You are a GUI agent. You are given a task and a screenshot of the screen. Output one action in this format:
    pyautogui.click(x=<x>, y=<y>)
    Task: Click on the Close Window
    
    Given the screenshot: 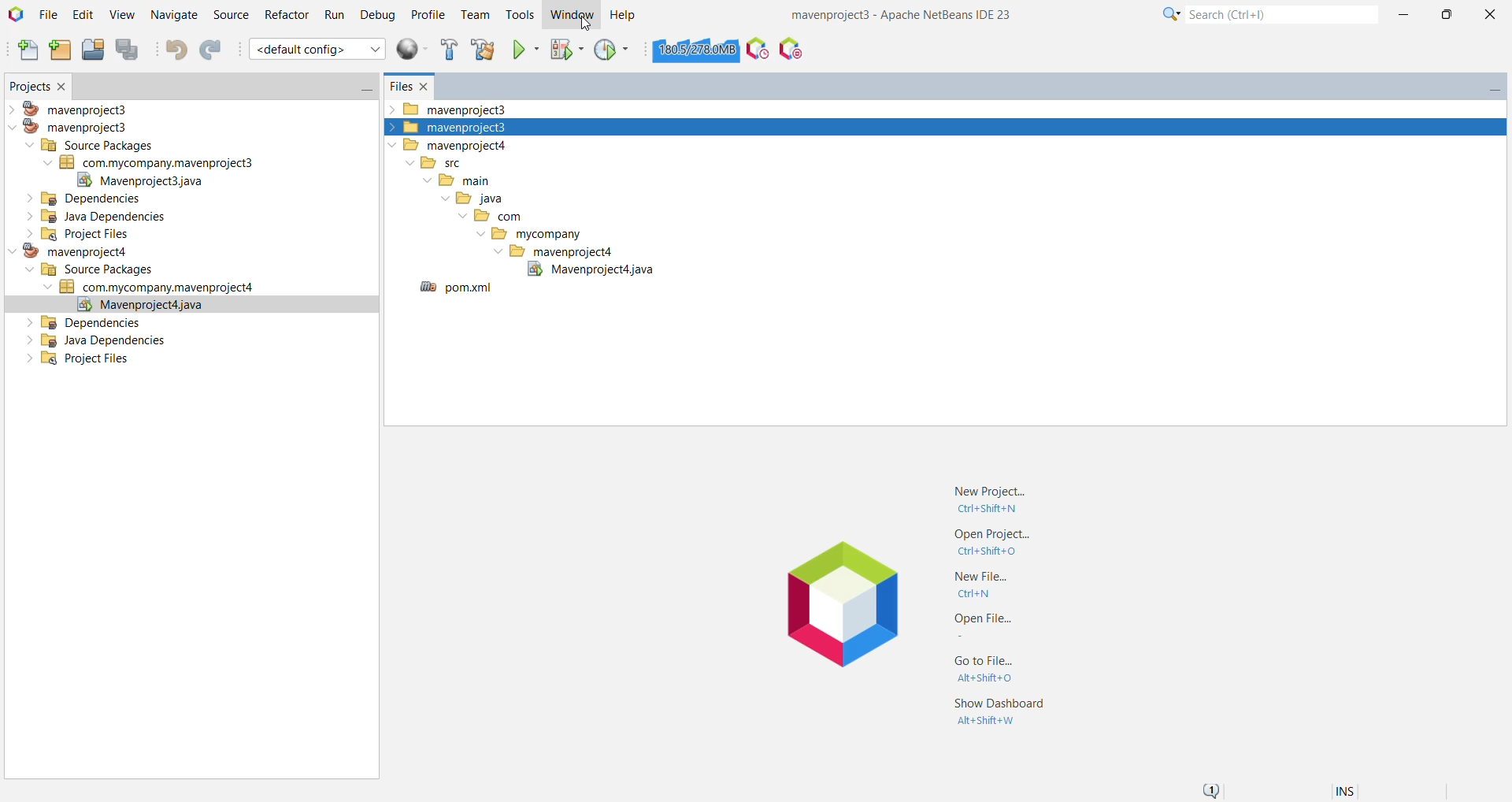 What is the action you would take?
    pyautogui.click(x=63, y=86)
    